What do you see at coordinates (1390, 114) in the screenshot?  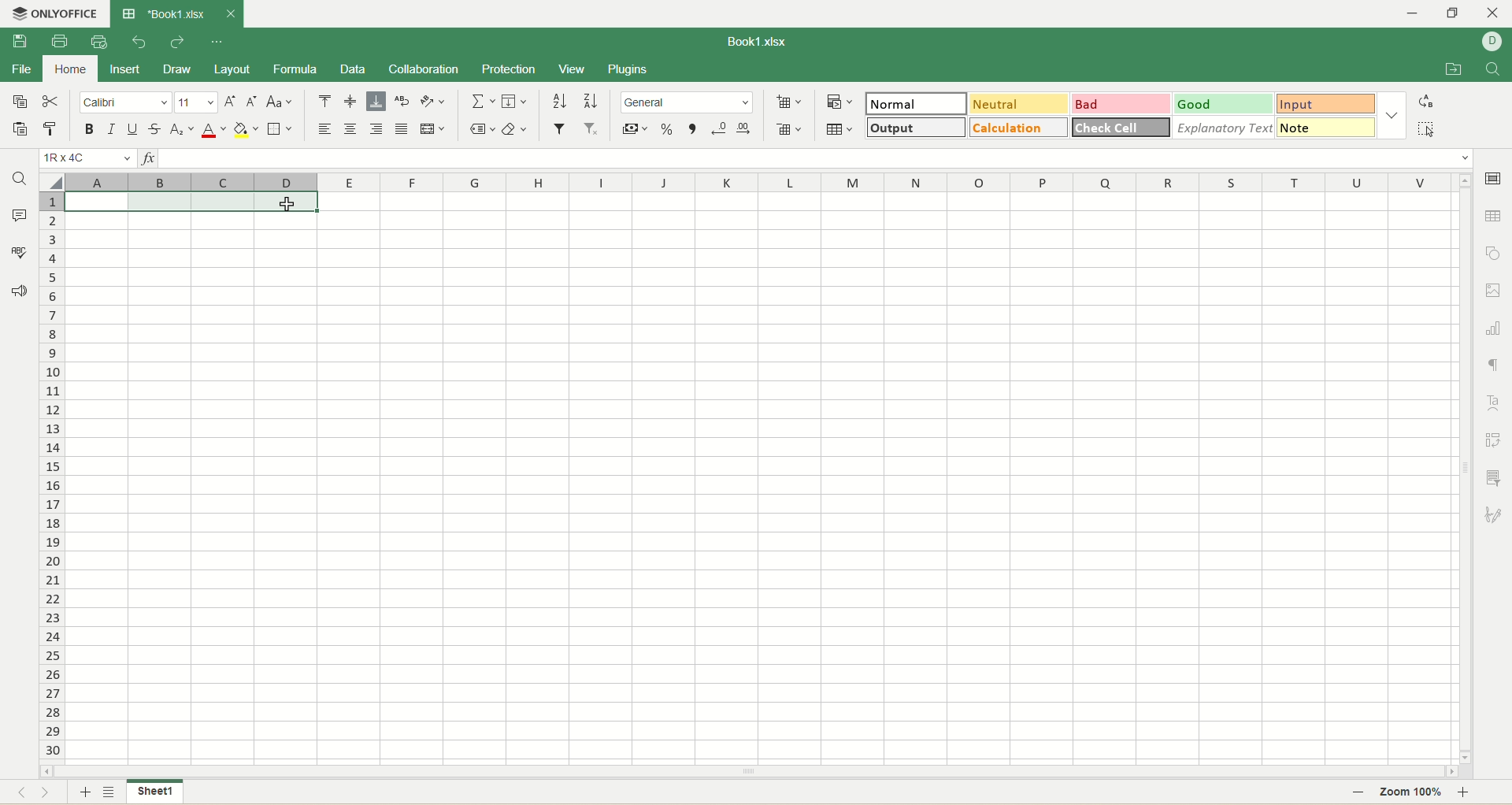 I see `style options` at bounding box center [1390, 114].